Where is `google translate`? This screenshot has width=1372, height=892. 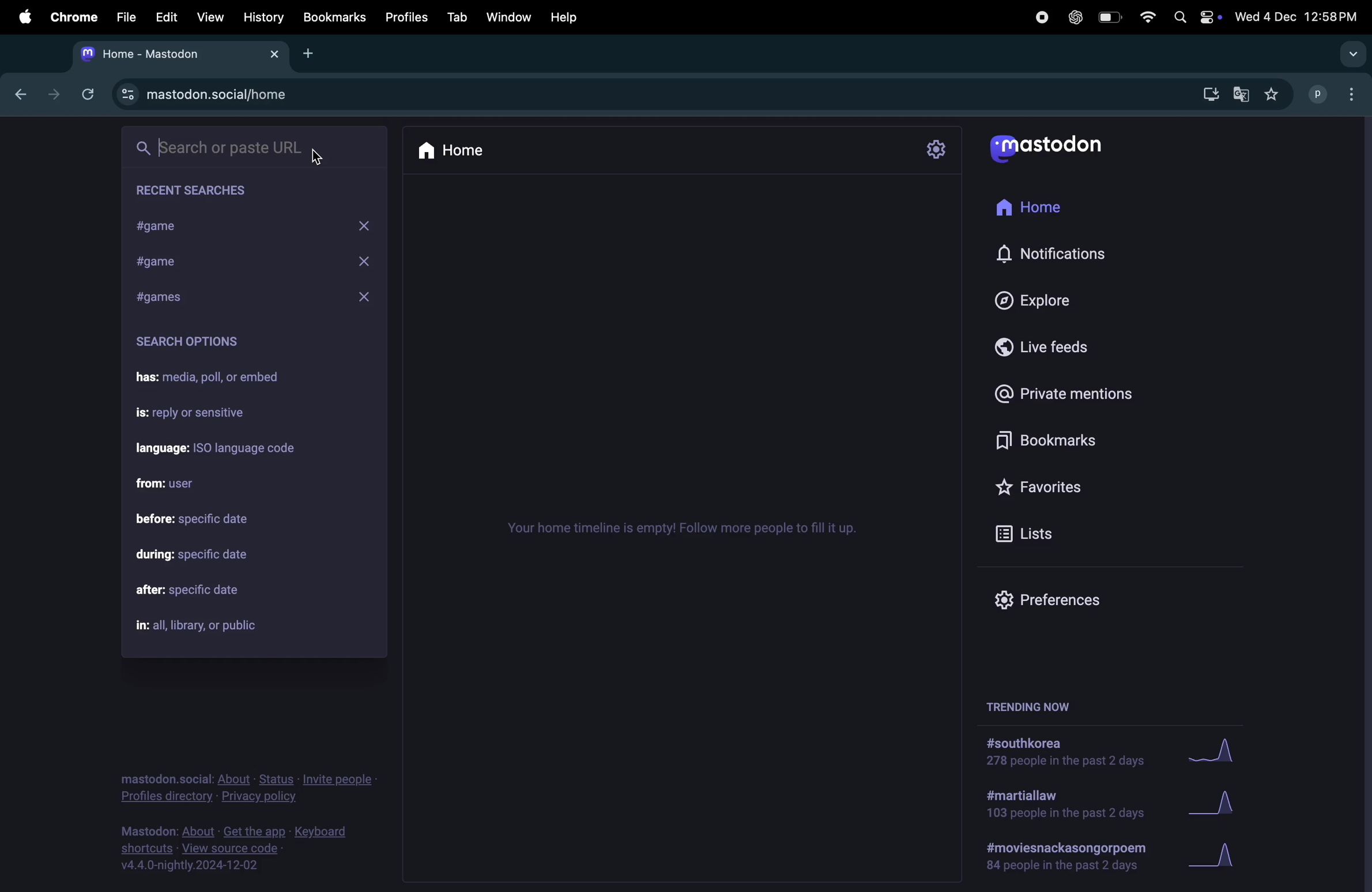 google translate is located at coordinates (1243, 92).